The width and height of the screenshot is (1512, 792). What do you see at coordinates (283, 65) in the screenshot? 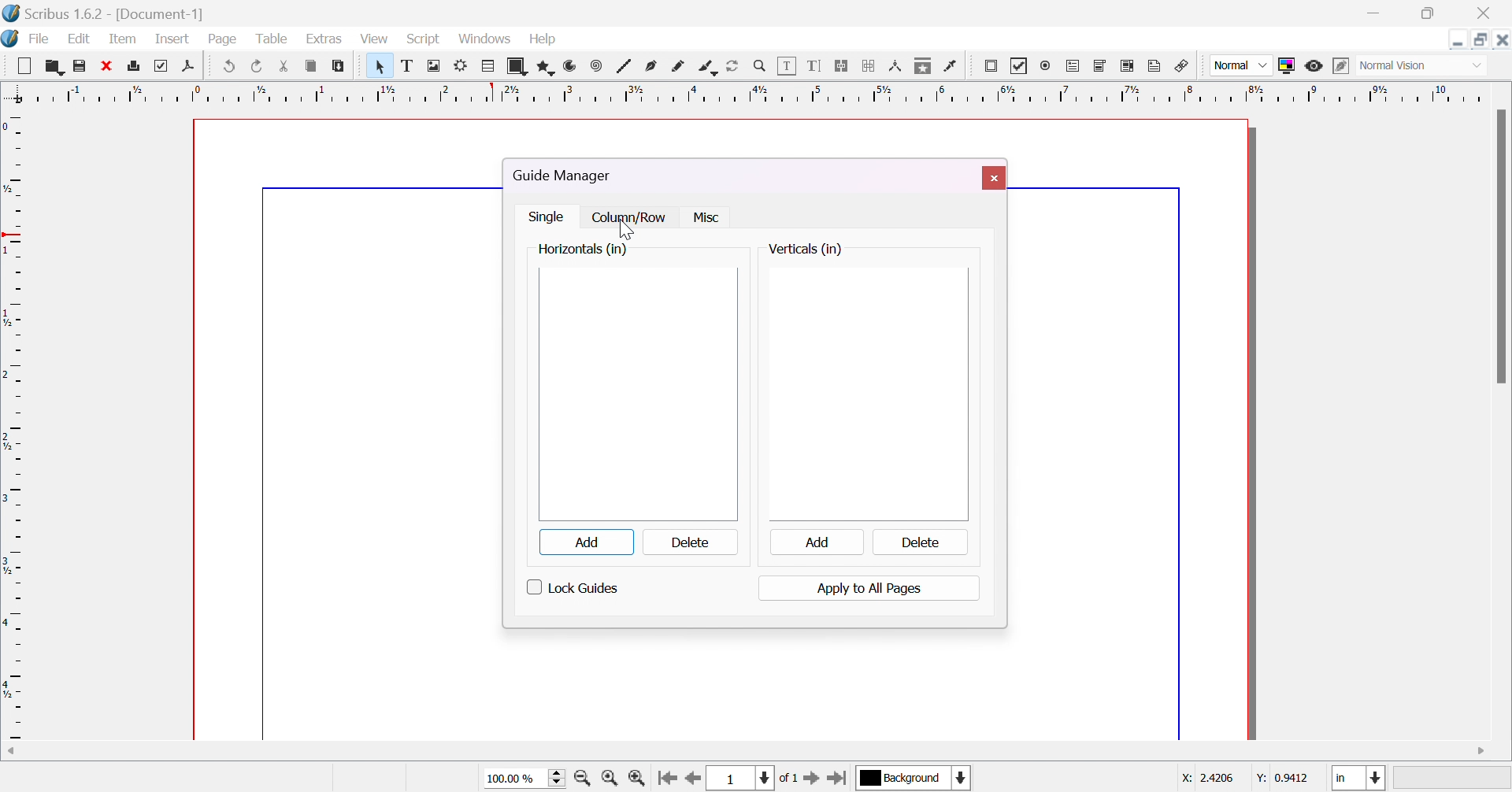
I see `cut` at bounding box center [283, 65].